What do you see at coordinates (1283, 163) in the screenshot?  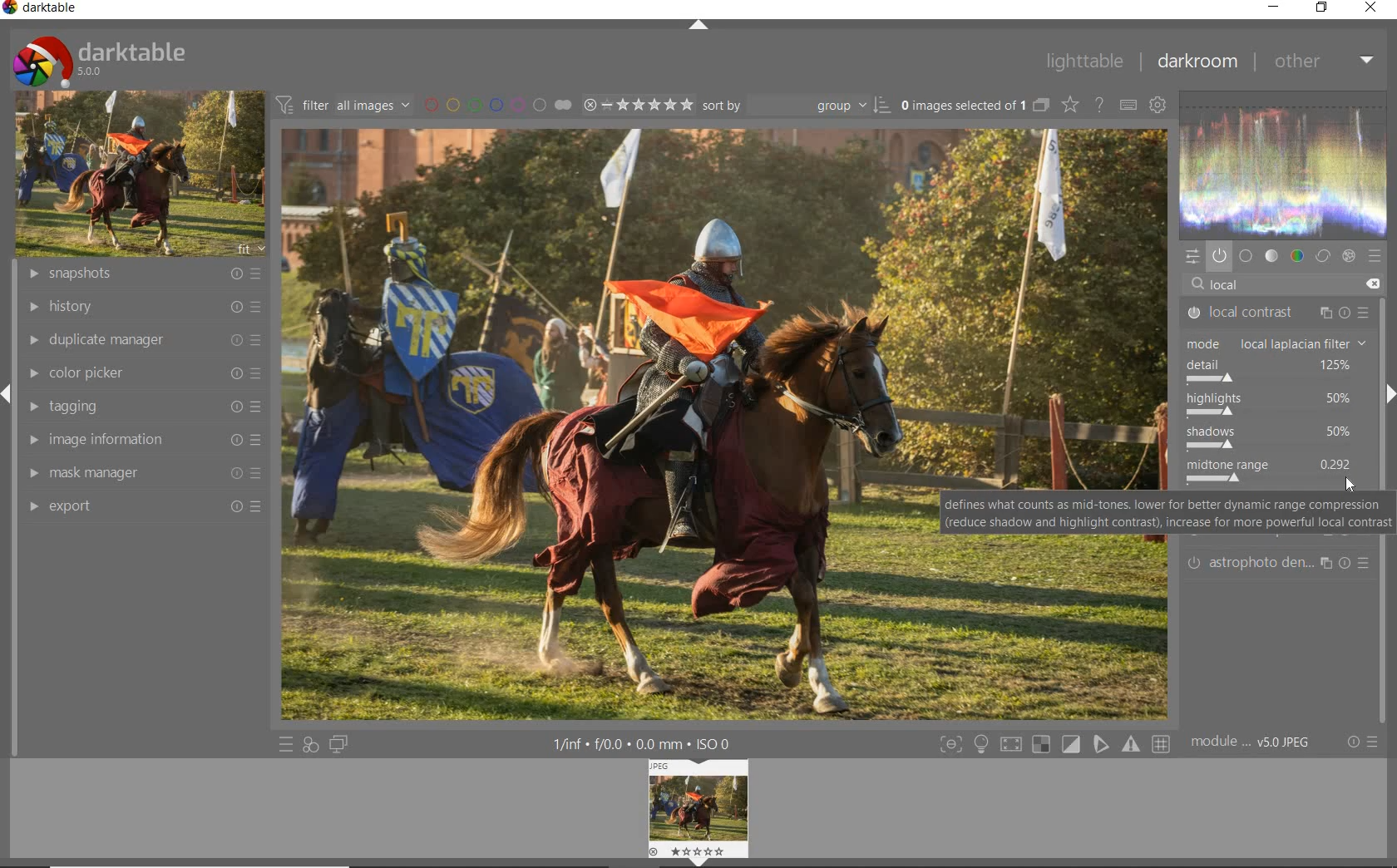 I see `waveform` at bounding box center [1283, 163].